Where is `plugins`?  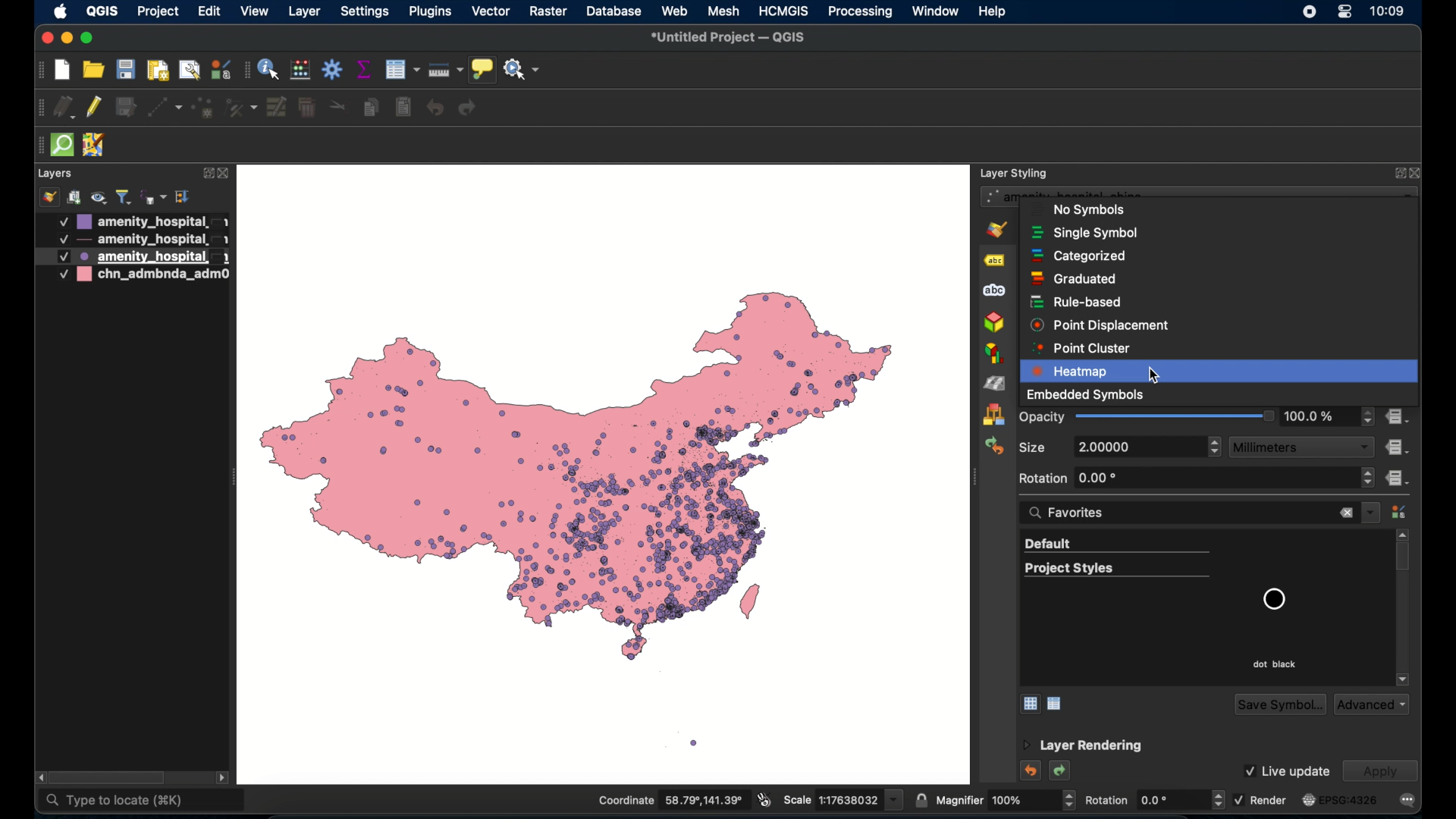 plugins is located at coordinates (431, 11).